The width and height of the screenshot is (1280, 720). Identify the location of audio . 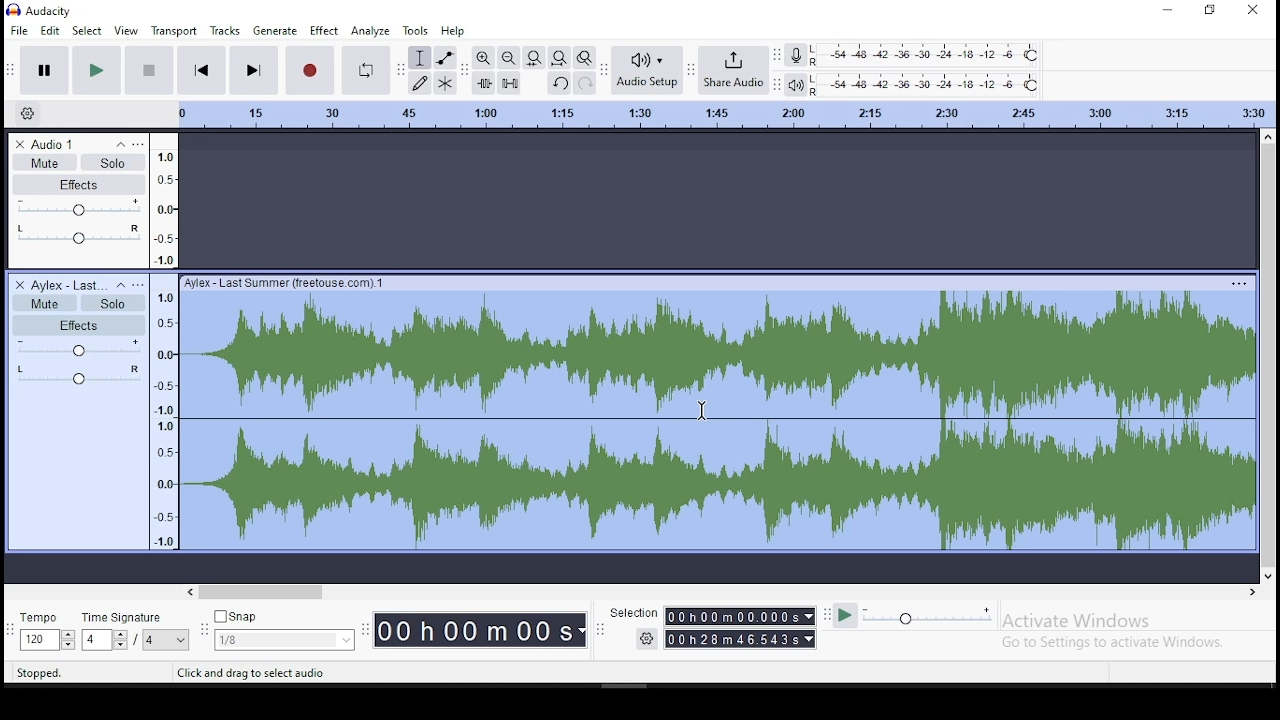
(59, 144).